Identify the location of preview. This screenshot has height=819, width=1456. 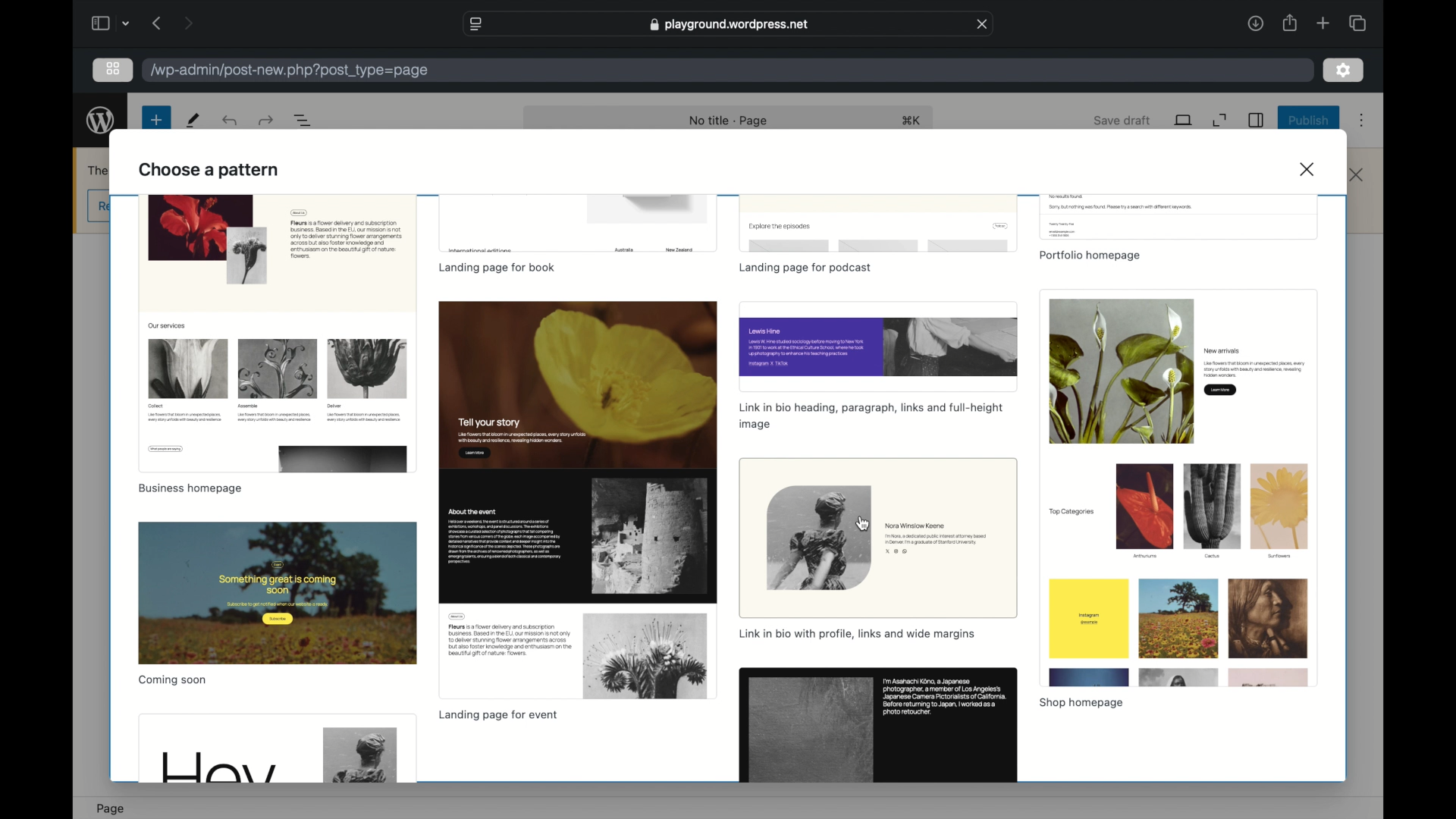
(1177, 488).